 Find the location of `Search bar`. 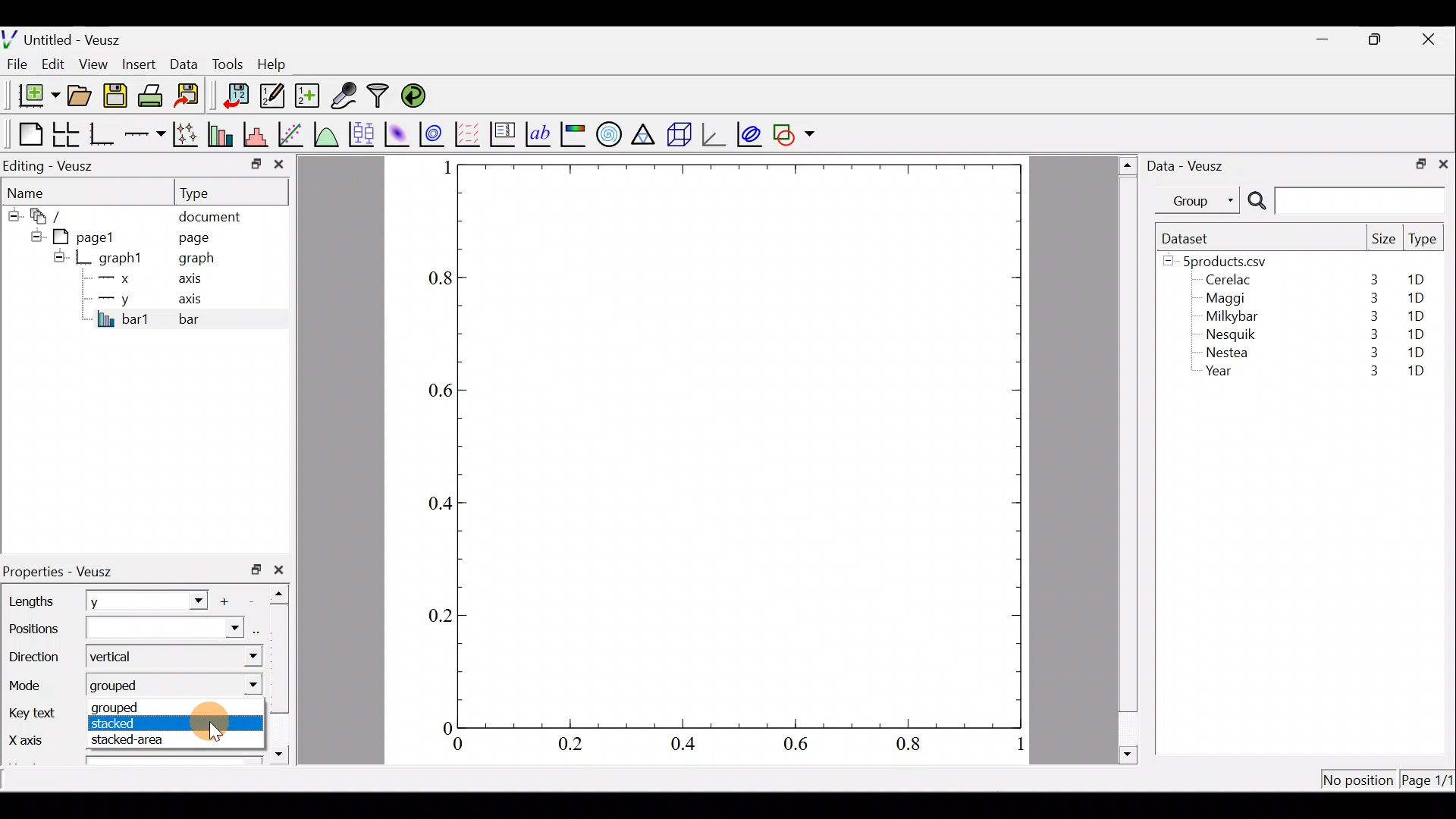

Search bar is located at coordinates (1344, 201).